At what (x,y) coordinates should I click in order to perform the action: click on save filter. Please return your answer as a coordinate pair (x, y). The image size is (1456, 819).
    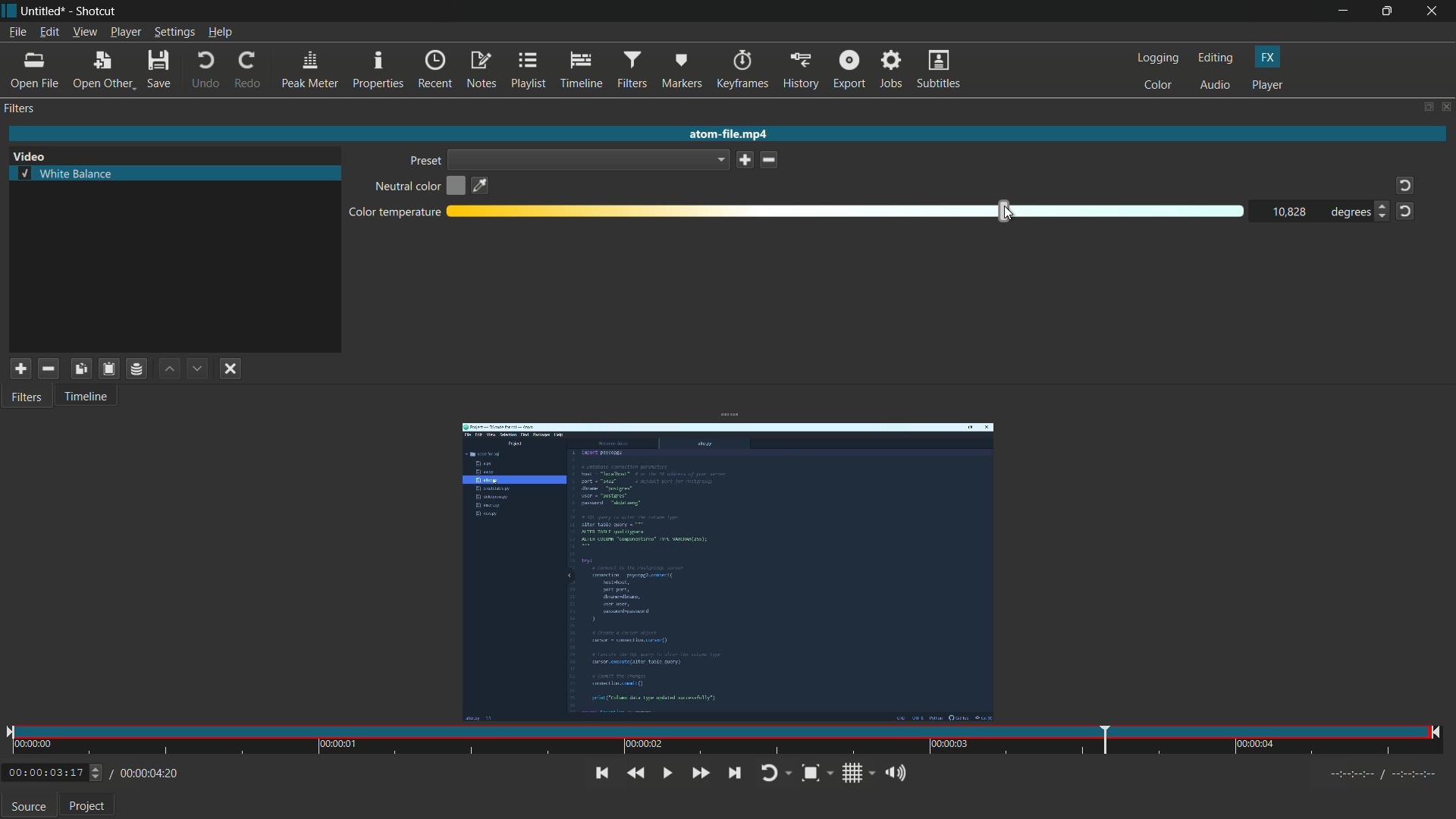
    Looking at the image, I should click on (108, 369).